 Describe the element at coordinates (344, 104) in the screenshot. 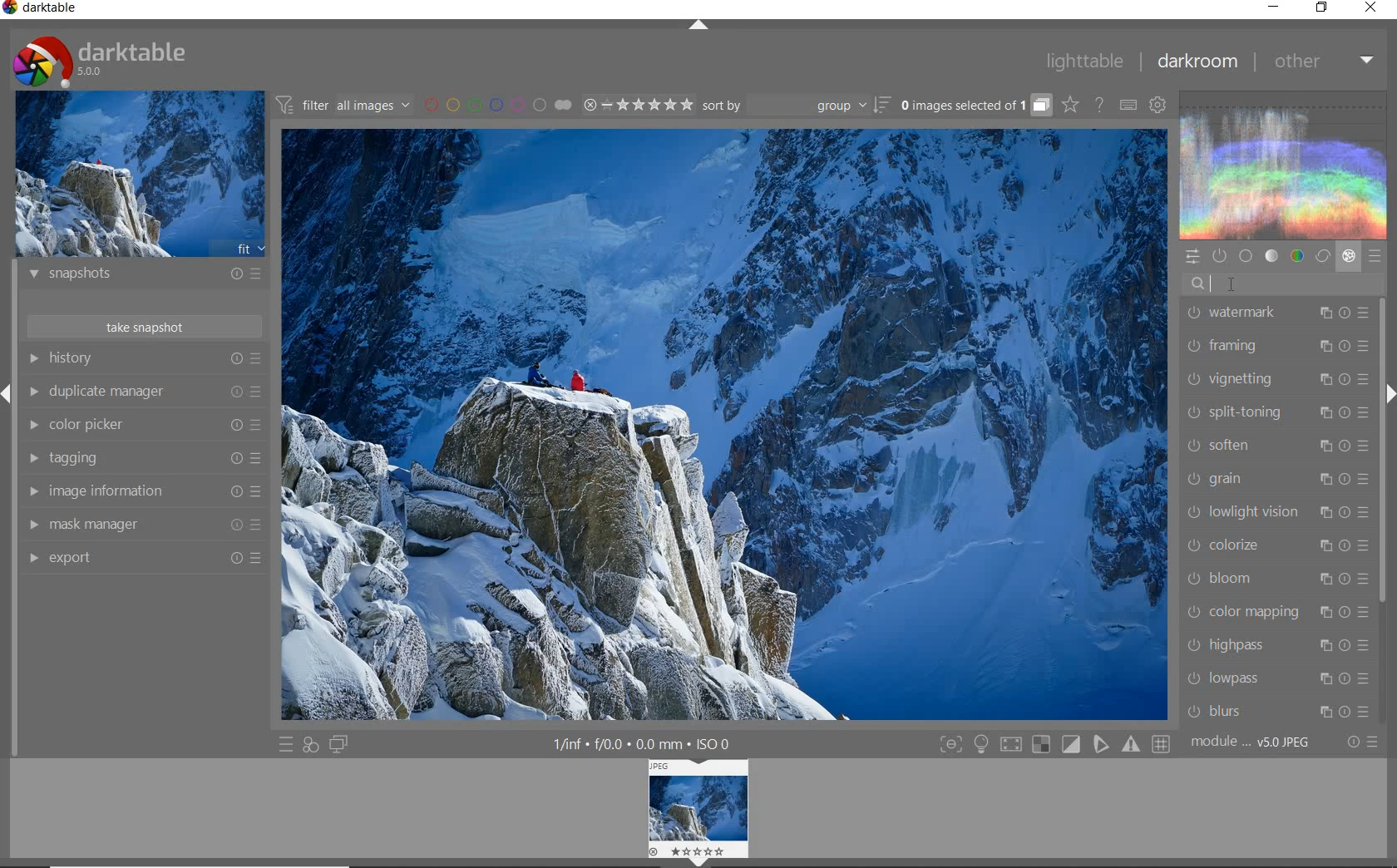

I see `filter all images by module order` at that location.